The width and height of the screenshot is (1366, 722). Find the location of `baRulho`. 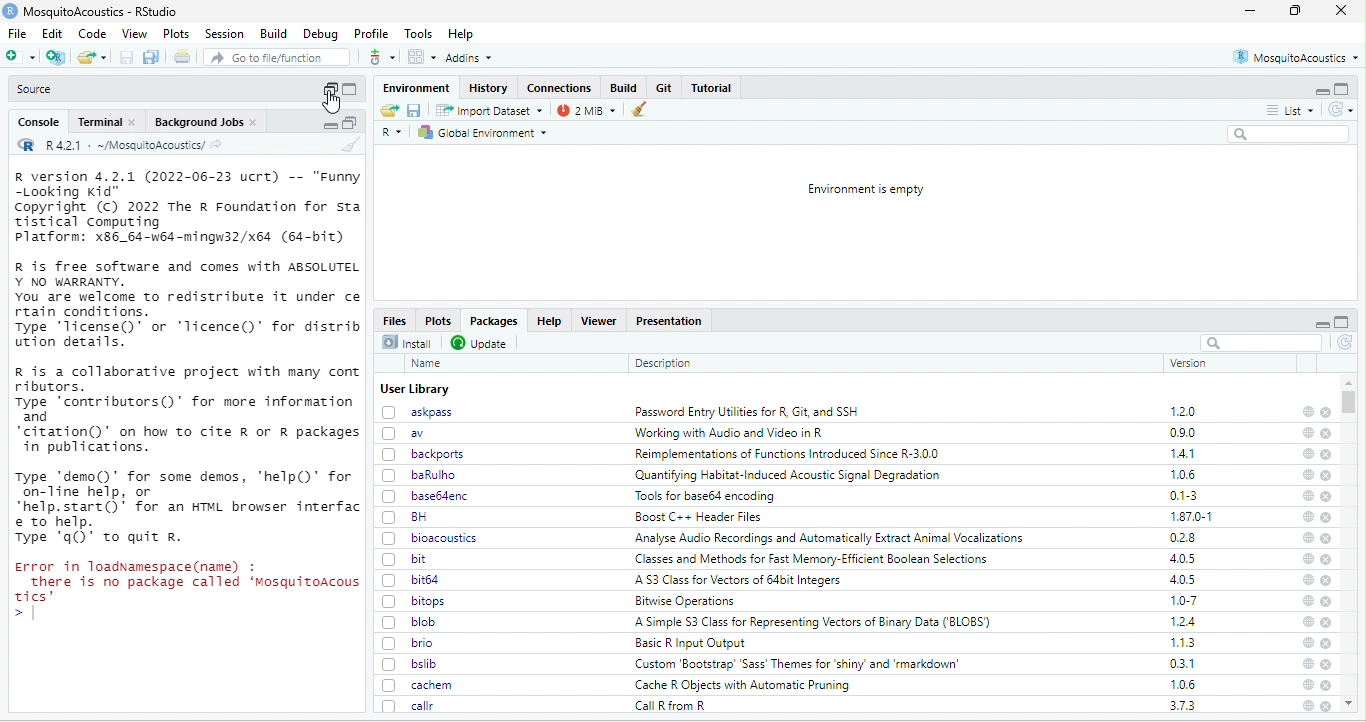

baRulho is located at coordinates (419, 475).